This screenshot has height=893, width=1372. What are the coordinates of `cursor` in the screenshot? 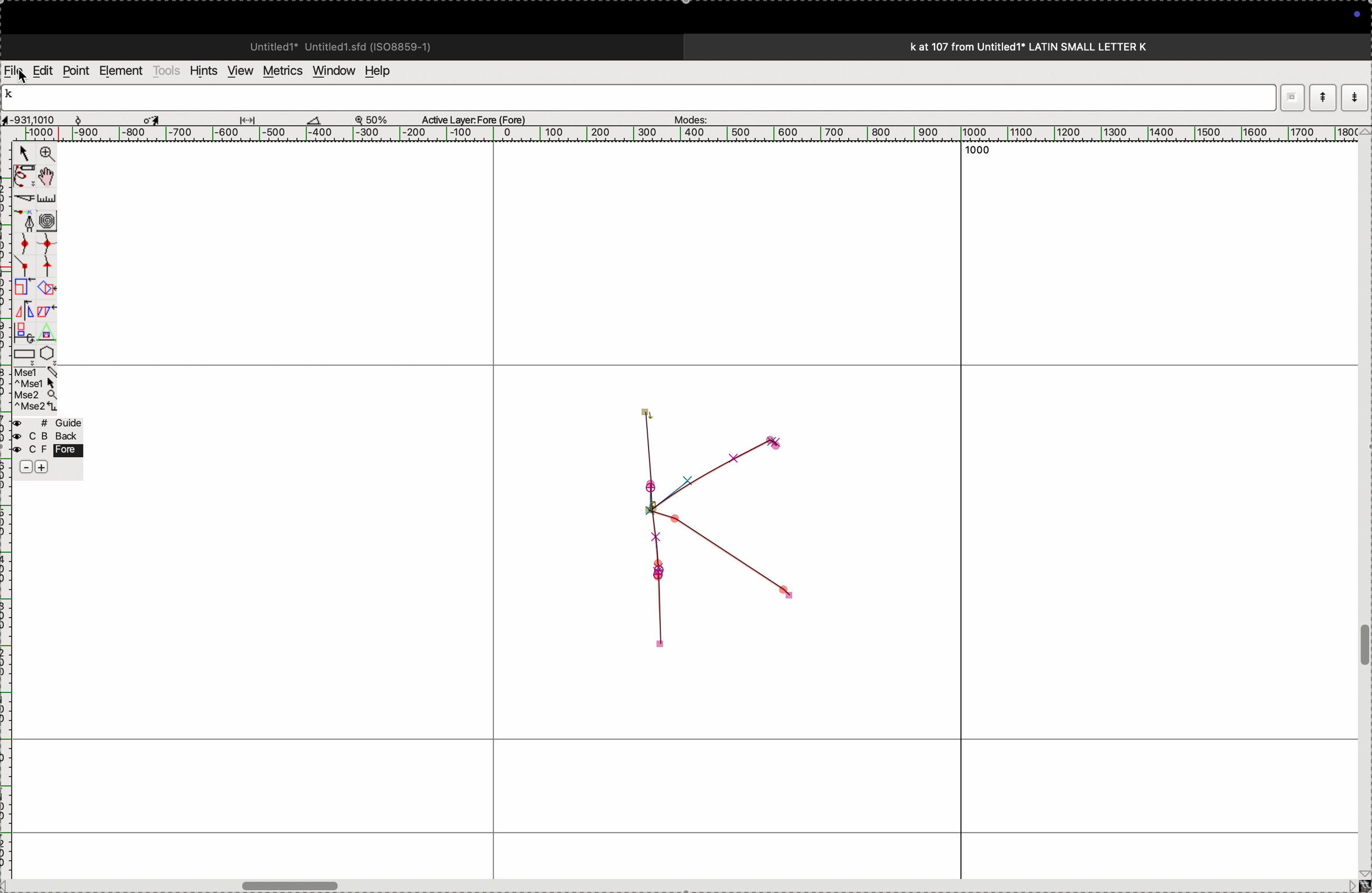 It's located at (28, 78).